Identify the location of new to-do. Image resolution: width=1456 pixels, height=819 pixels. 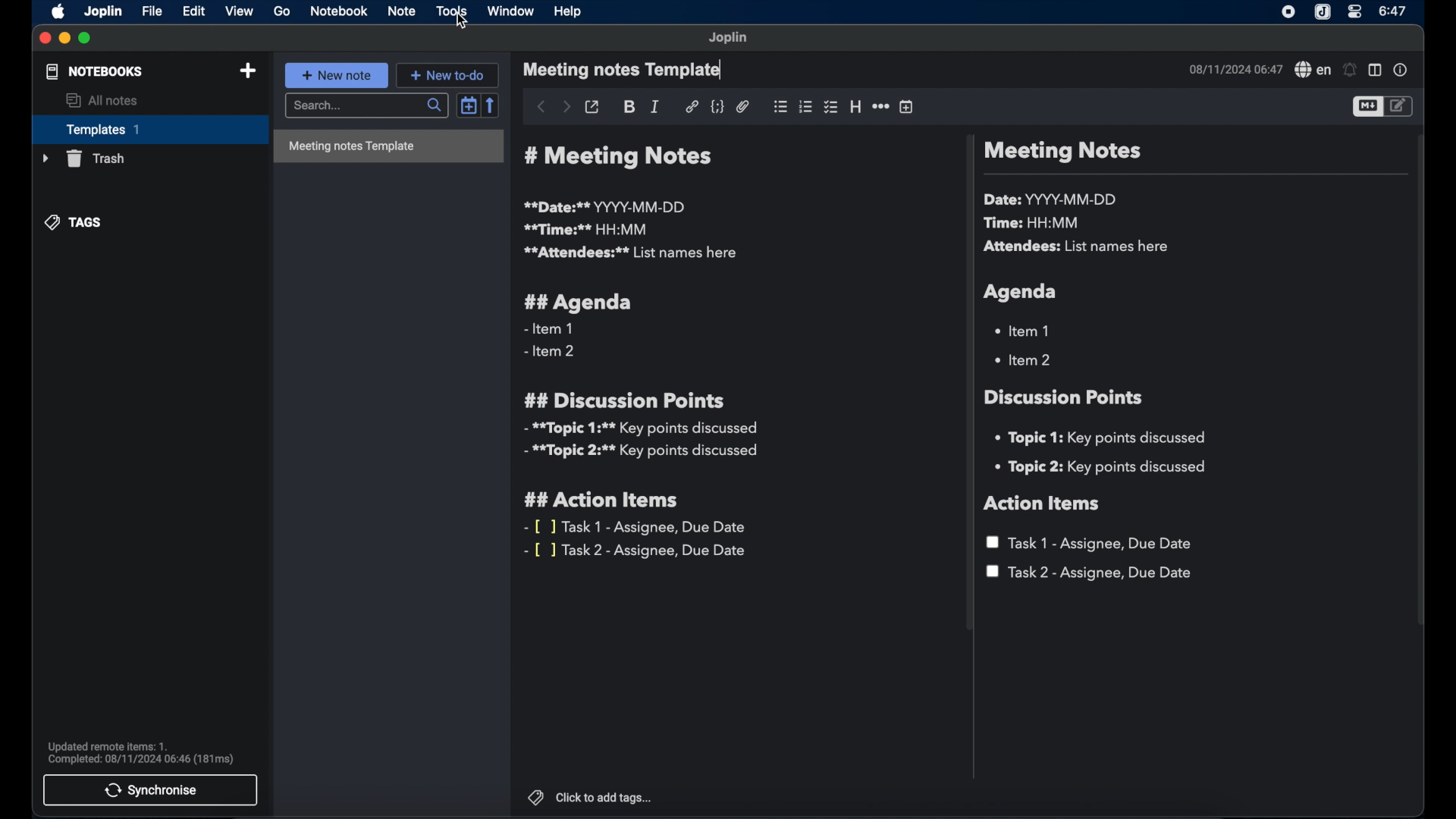
(450, 74).